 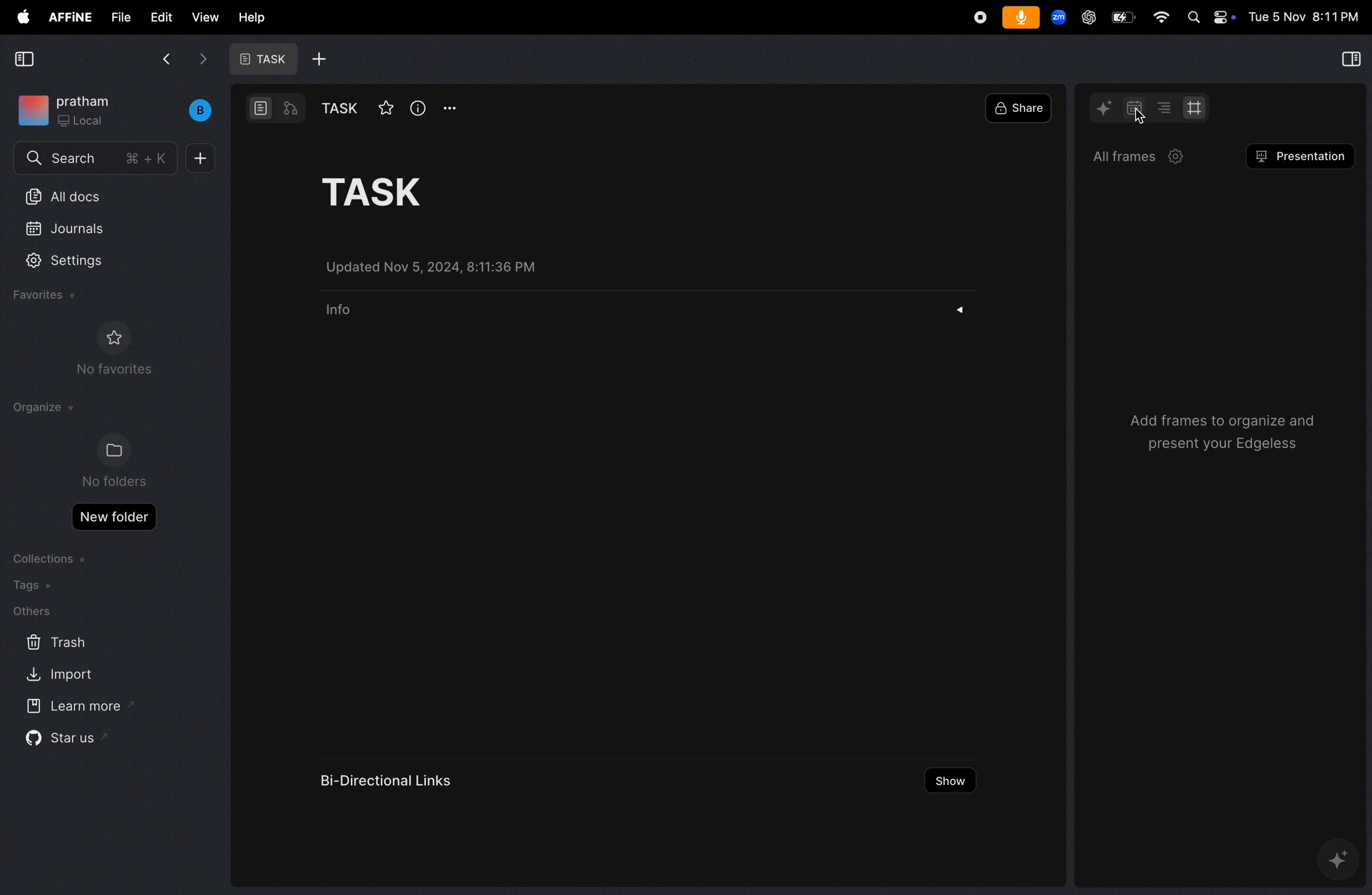 I want to click on all frames, so click(x=1144, y=157).